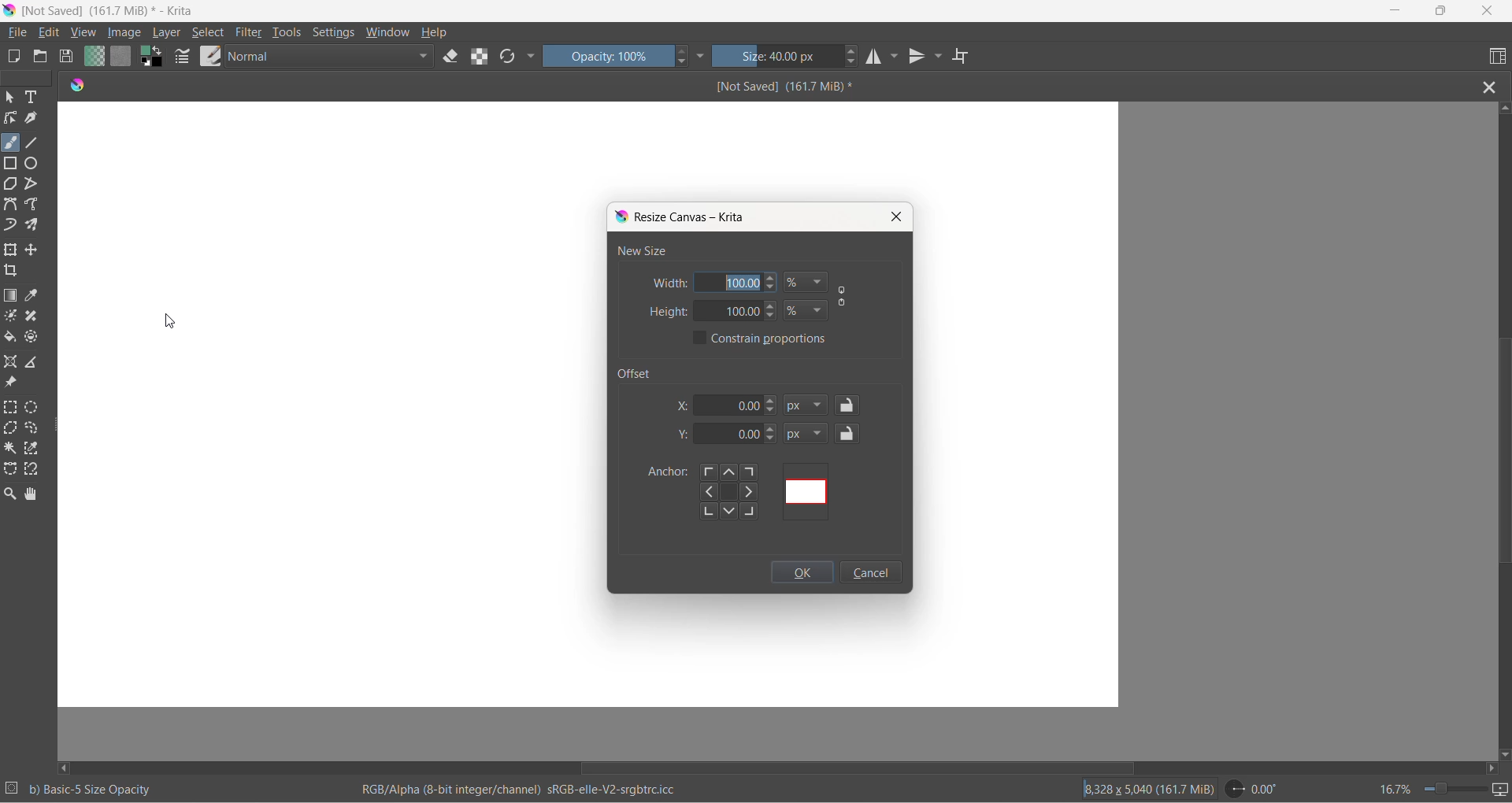 This screenshot has width=1512, height=803. I want to click on scroll down button, so click(1503, 751).